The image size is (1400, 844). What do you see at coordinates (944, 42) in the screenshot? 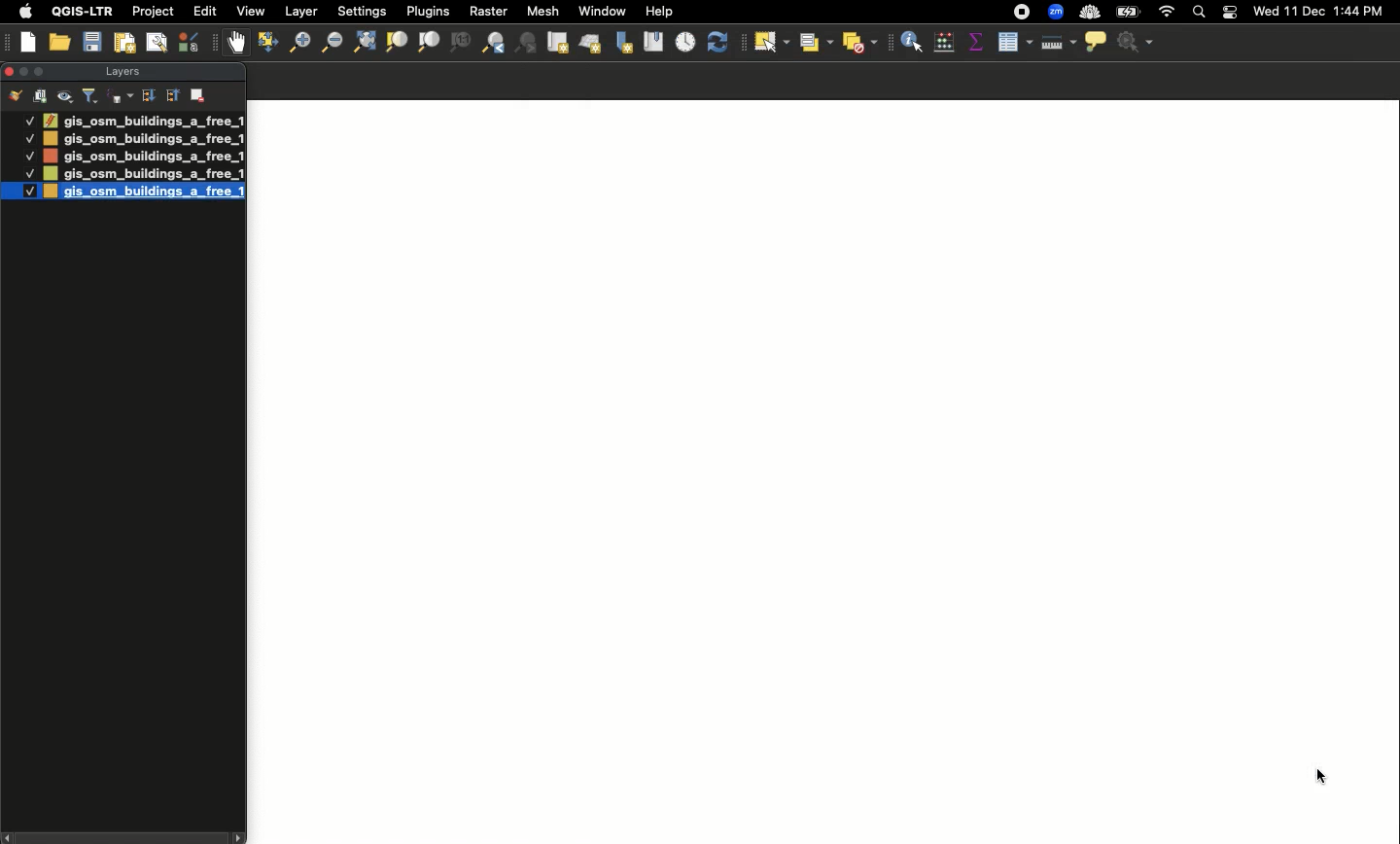
I see `Open field calculator` at bounding box center [944, 42].